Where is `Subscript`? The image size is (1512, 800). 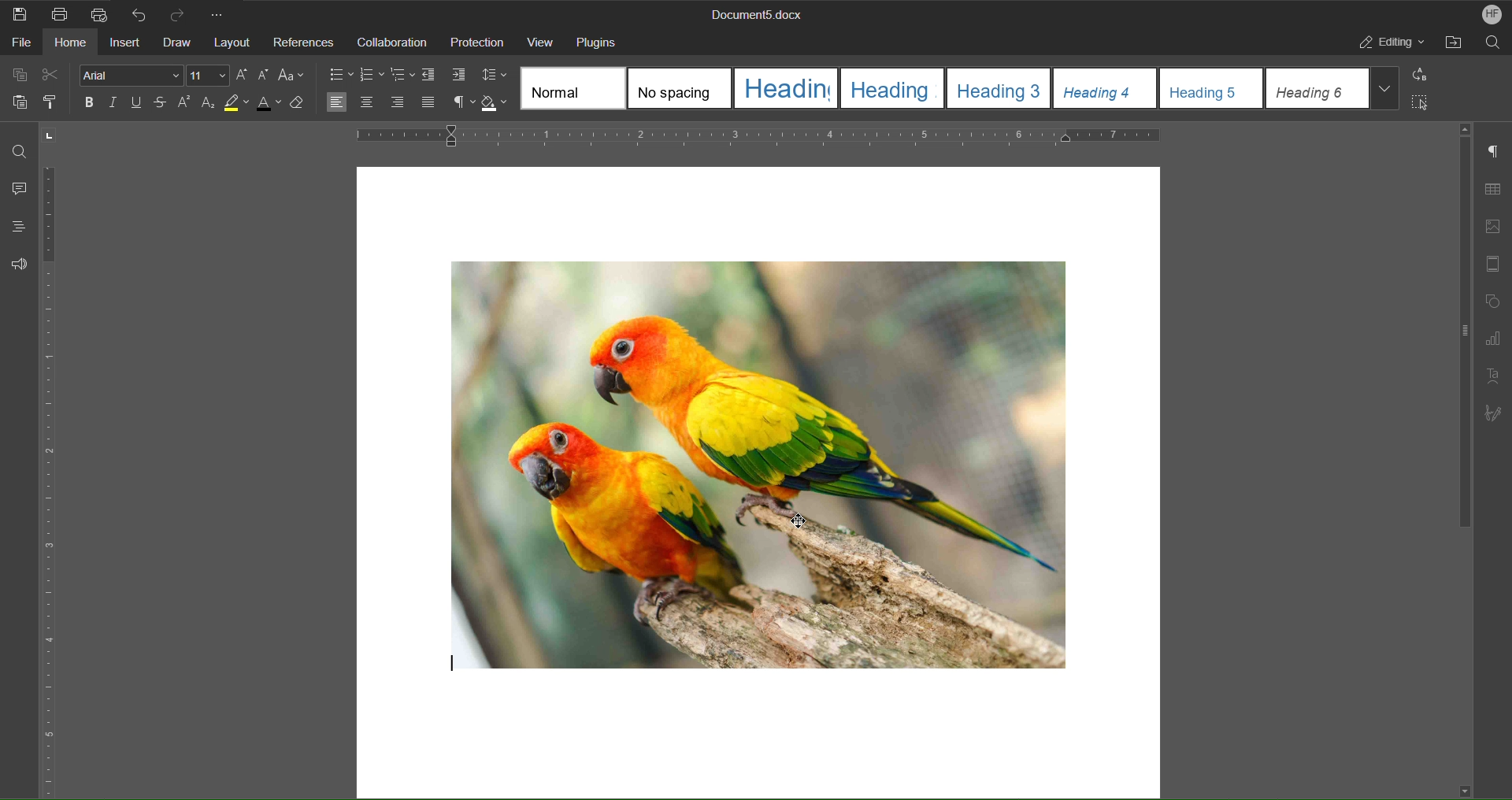 Subscript is located at coordinates (209, 106).